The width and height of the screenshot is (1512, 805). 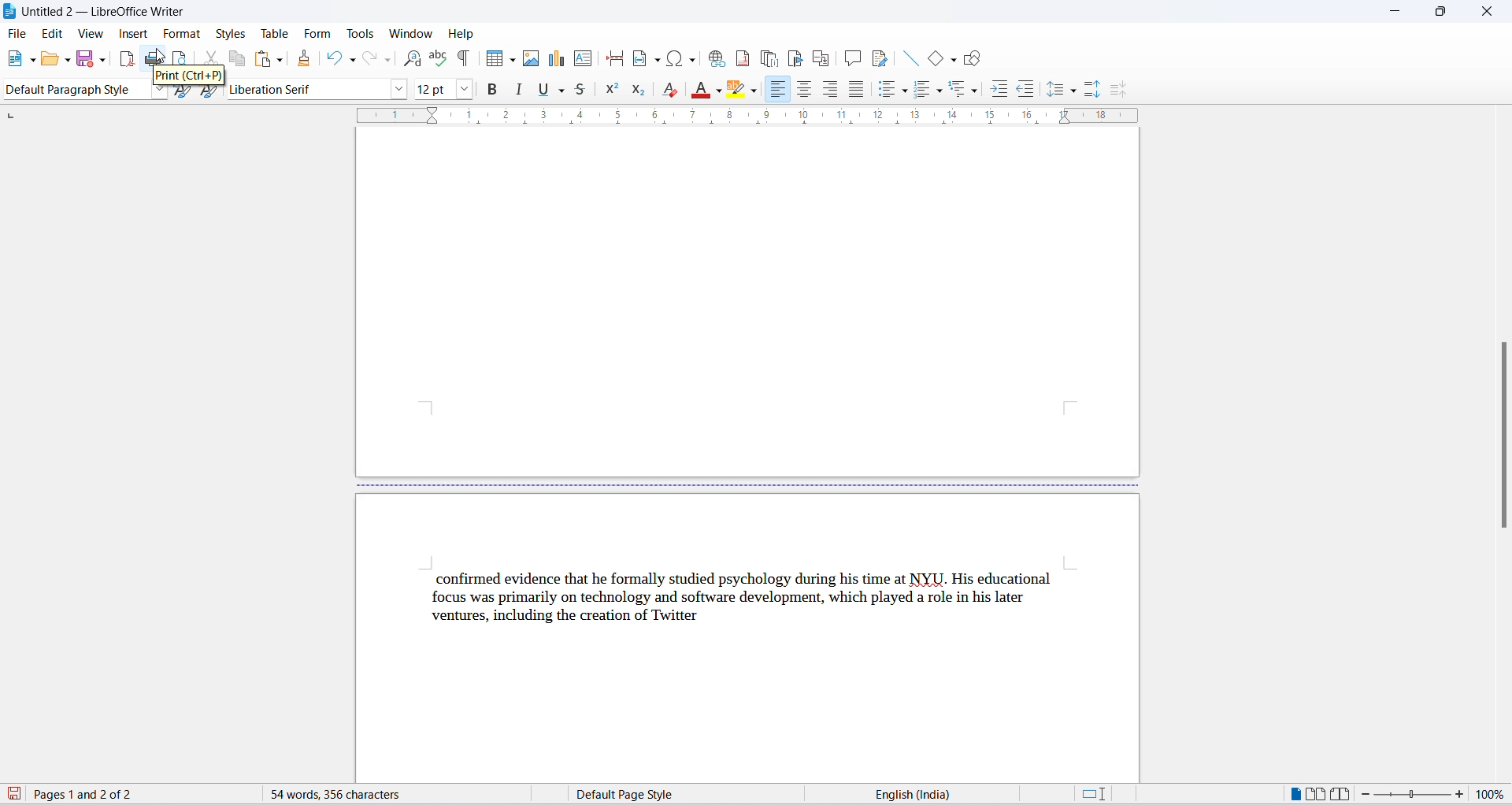 What do you see at coordinates (460, 34) in the screenshot?
I see `help` at bounding box center [460, 34].